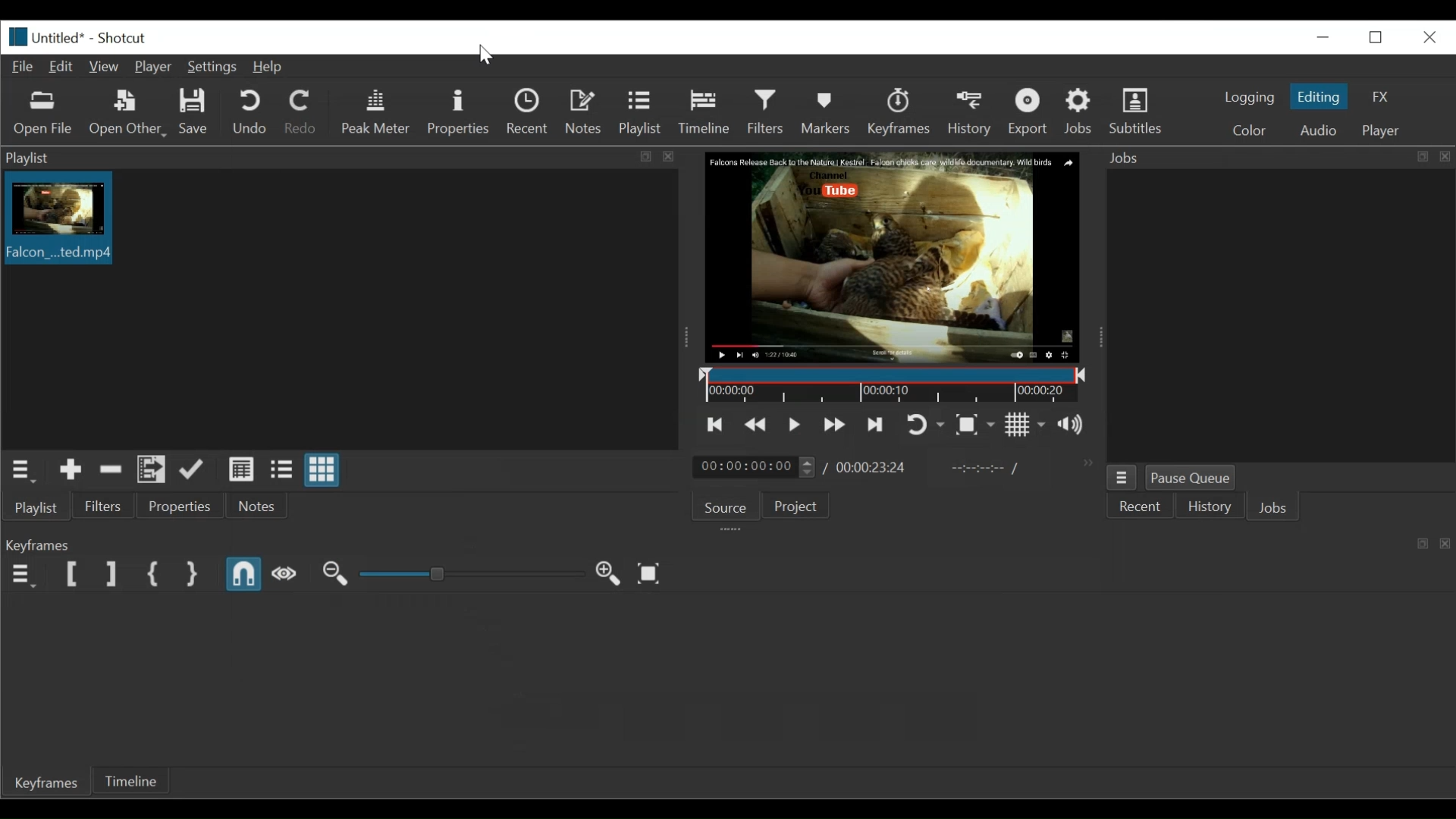  What do you see at coordinates (42, 37) in the screenshot?
I see `Untitled` at bounding box center [42, 37].